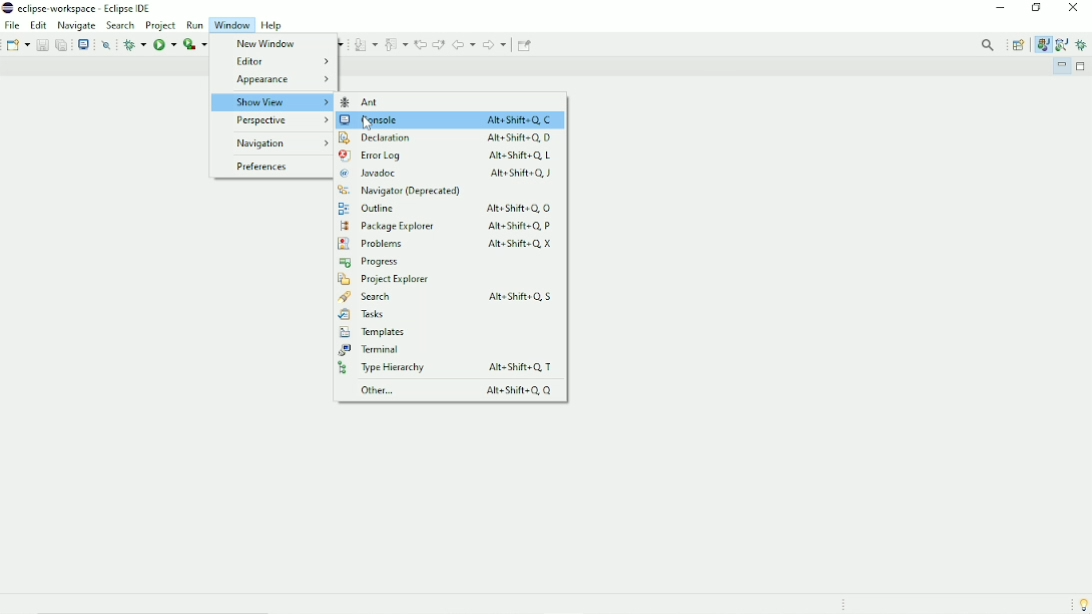  What do you see at coordinates (78, 25) in the screenshot?
I see `Navigate` at bounding box center [78, 25].